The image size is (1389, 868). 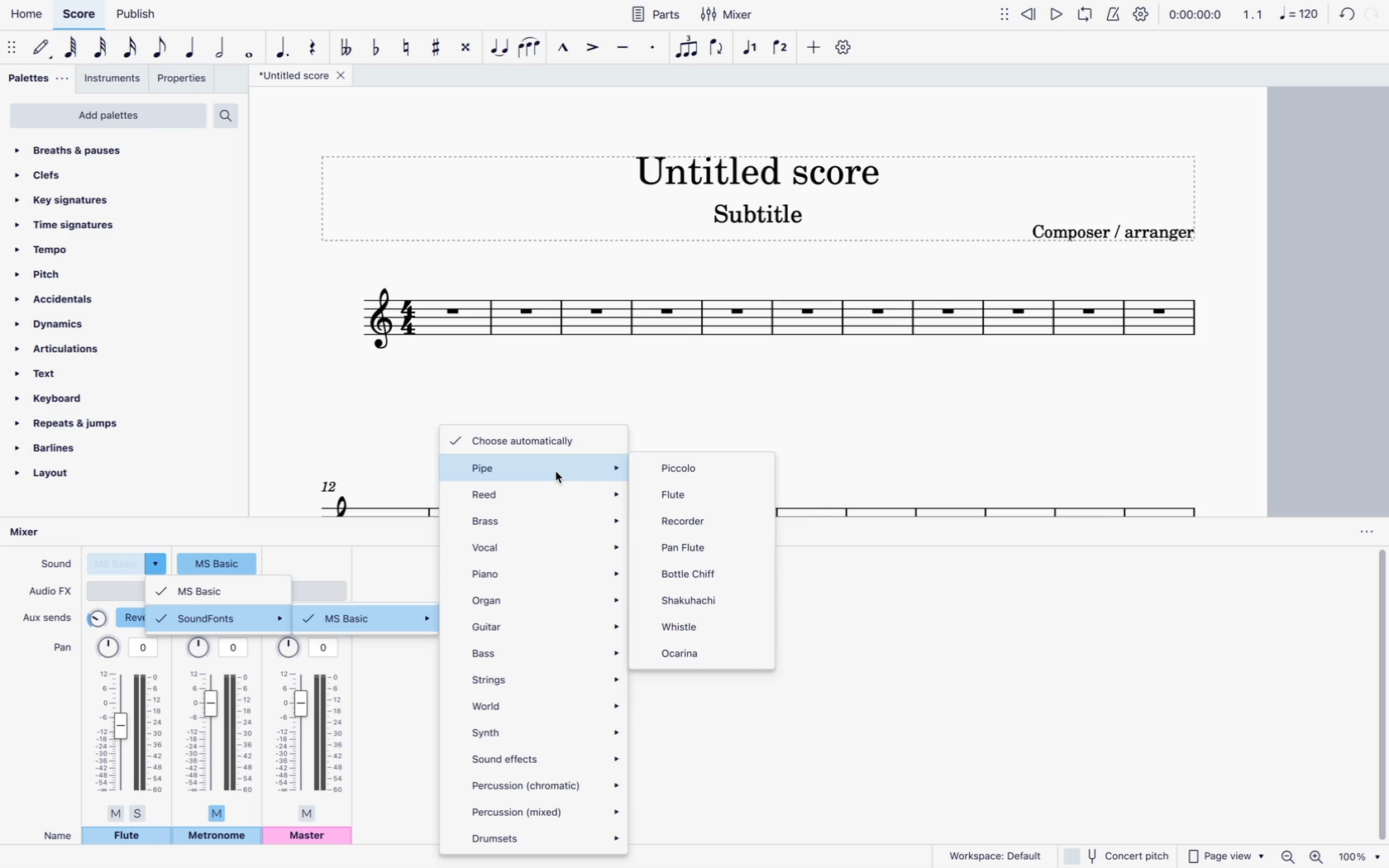 What do you see at coordinates (219, 618) in the screenshot?
I see `soundfonts` at bounding box center [219, 618].